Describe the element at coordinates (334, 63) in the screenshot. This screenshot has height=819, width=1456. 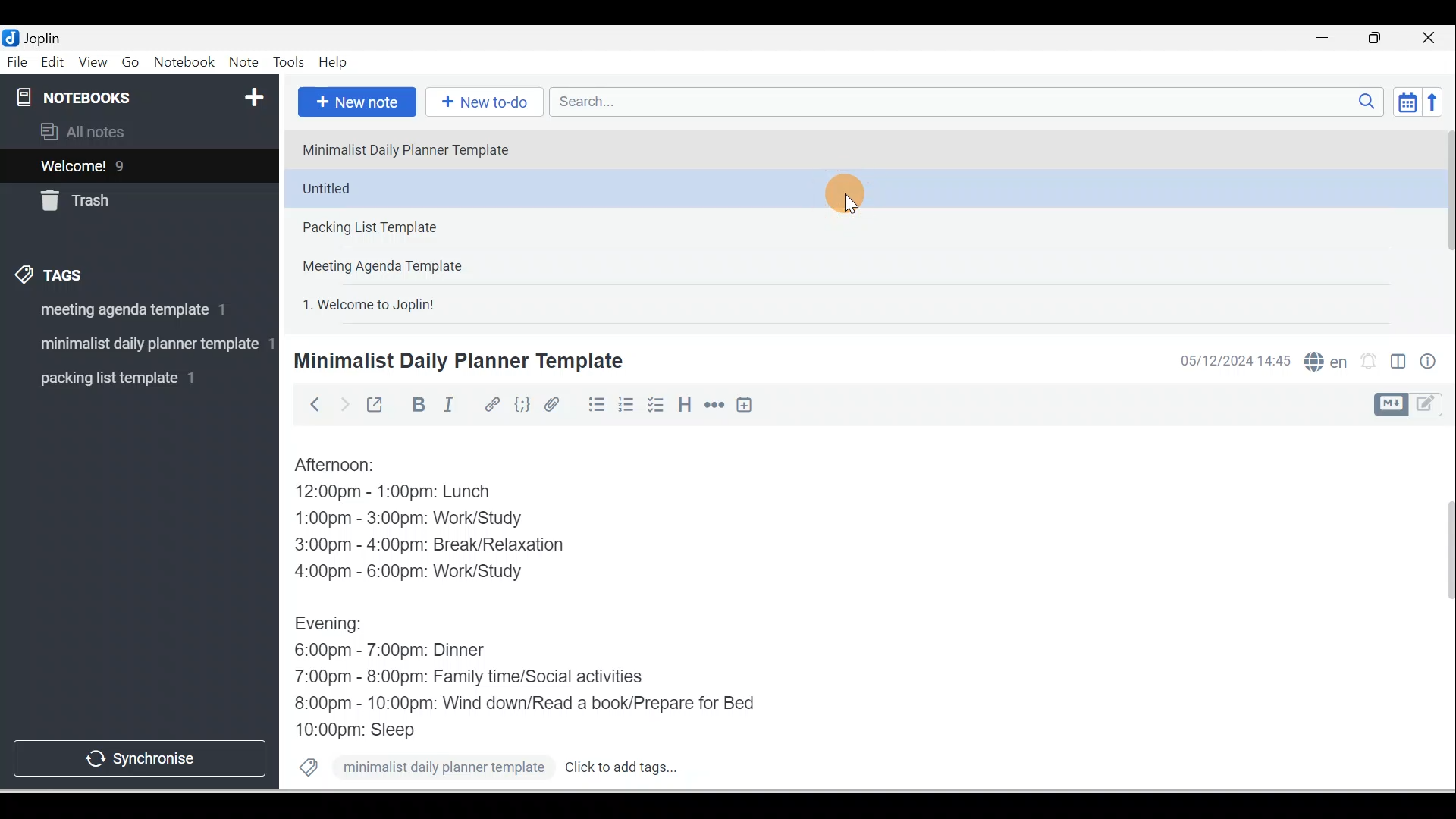
I see `Help` at that location.